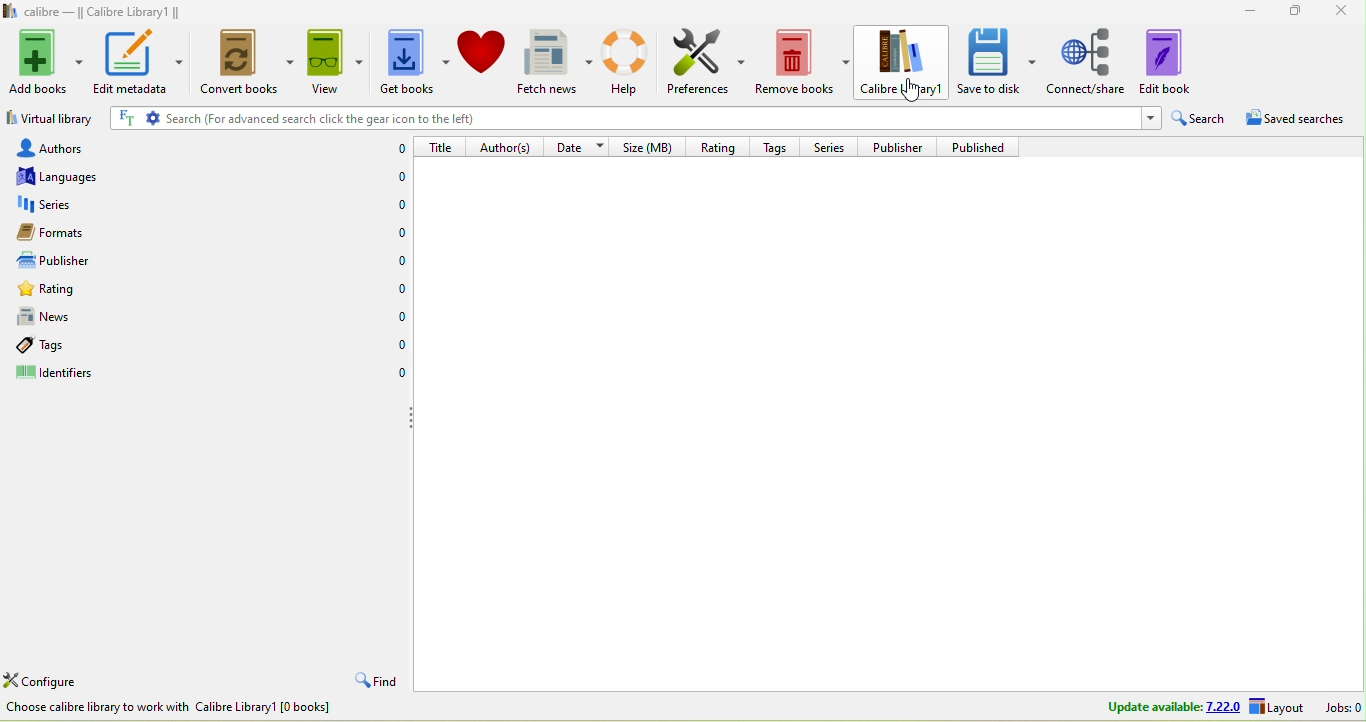 The height and width of the screenshot is (722, 1366). Describe the element at coordinates (804, 63) in the screenshot. I see `remove books` at that location.